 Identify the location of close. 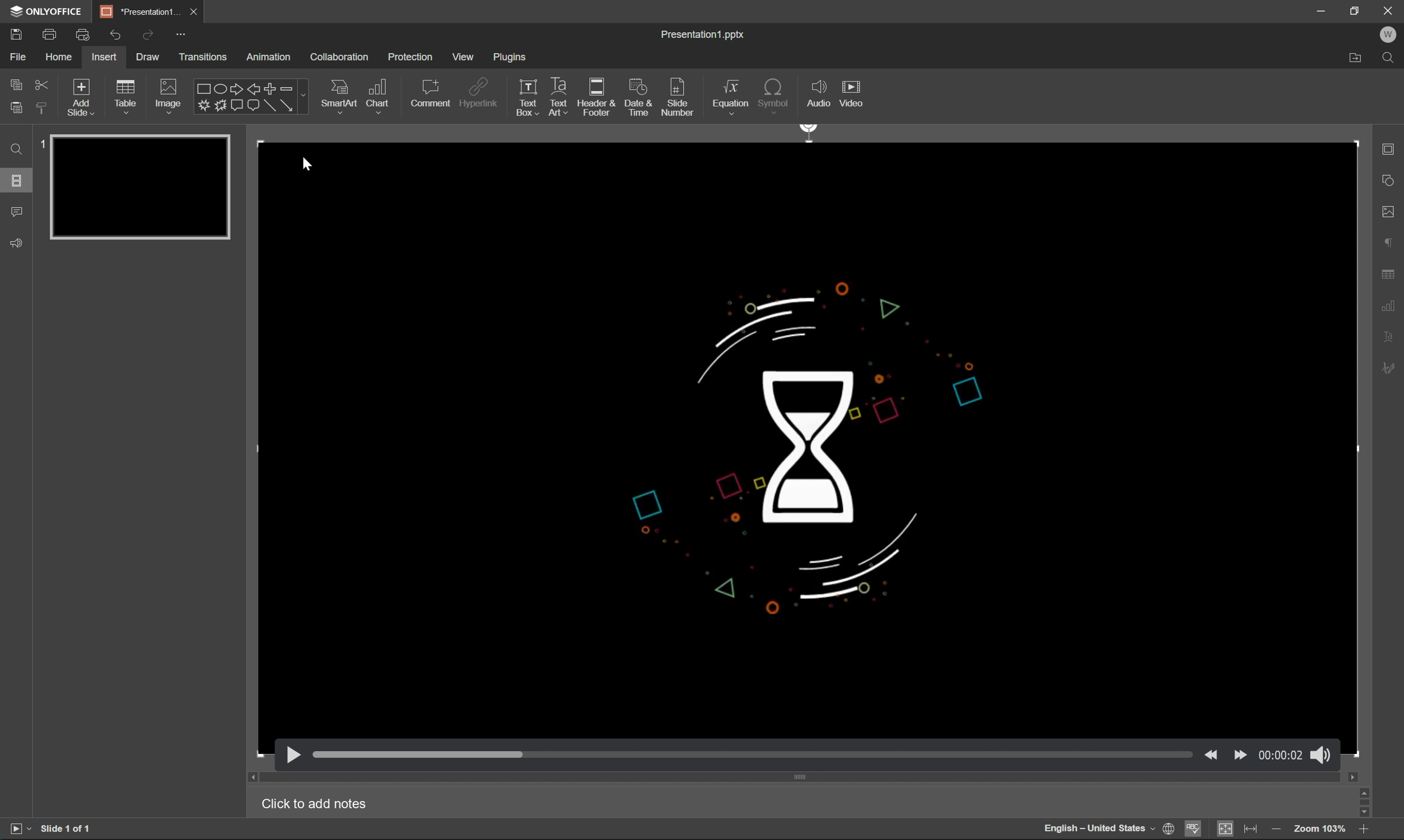
(196, 11).